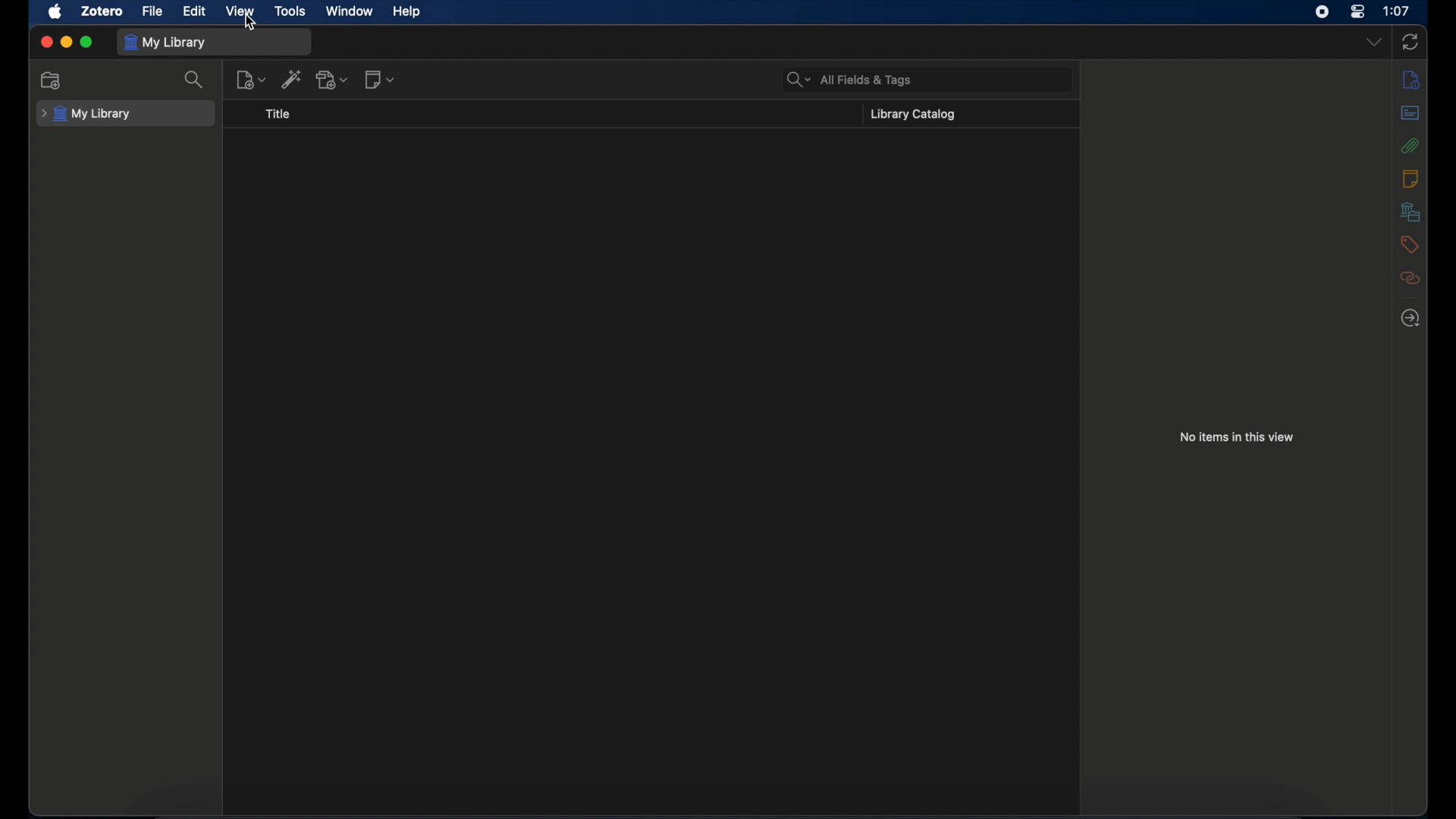 The width and height of the screenshot is (1456, 819). What do you see at coordinates (1321, 11) in the screenshot?
I see `screen recorder` at bounding box center [1321, 11].